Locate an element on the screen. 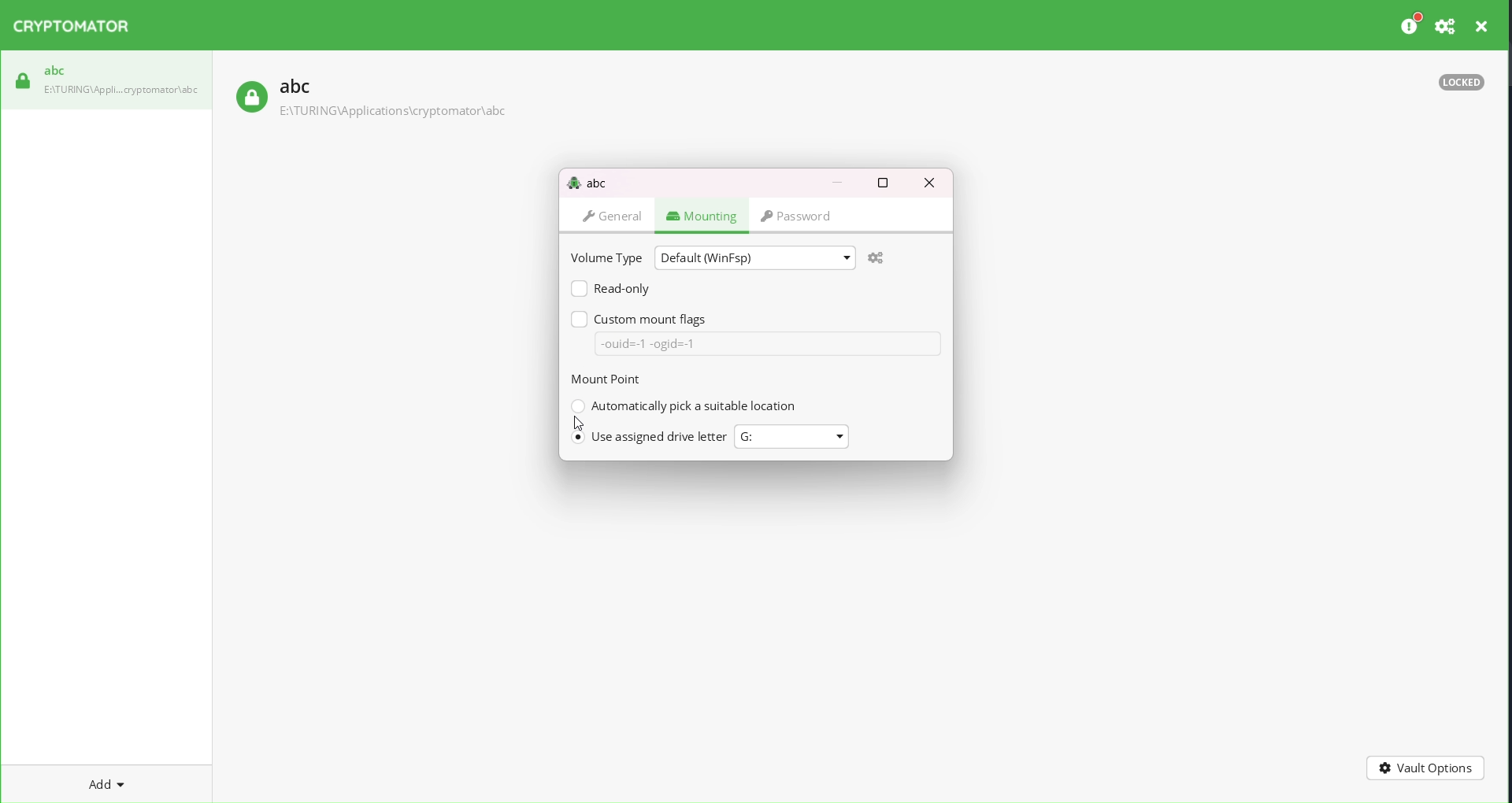  drive dropdown is located at coordinates (845, 435).